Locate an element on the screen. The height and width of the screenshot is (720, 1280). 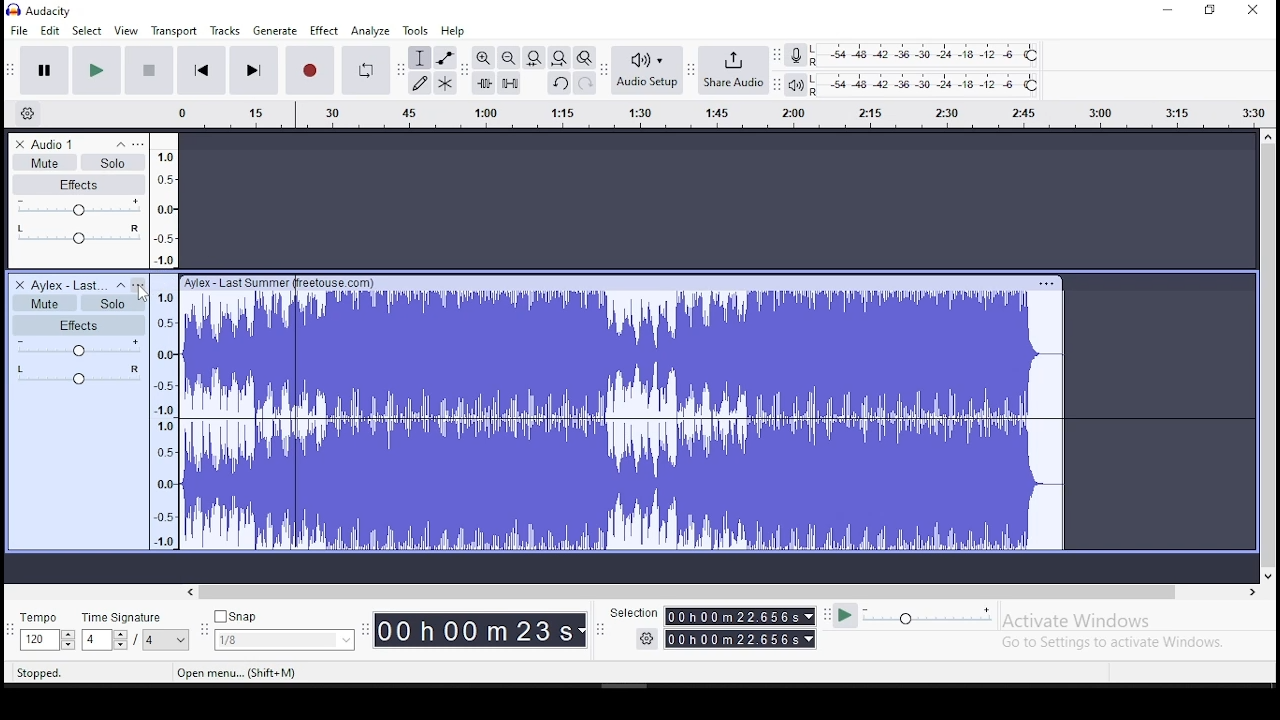
selection tool is located at coordinates (420, 58).